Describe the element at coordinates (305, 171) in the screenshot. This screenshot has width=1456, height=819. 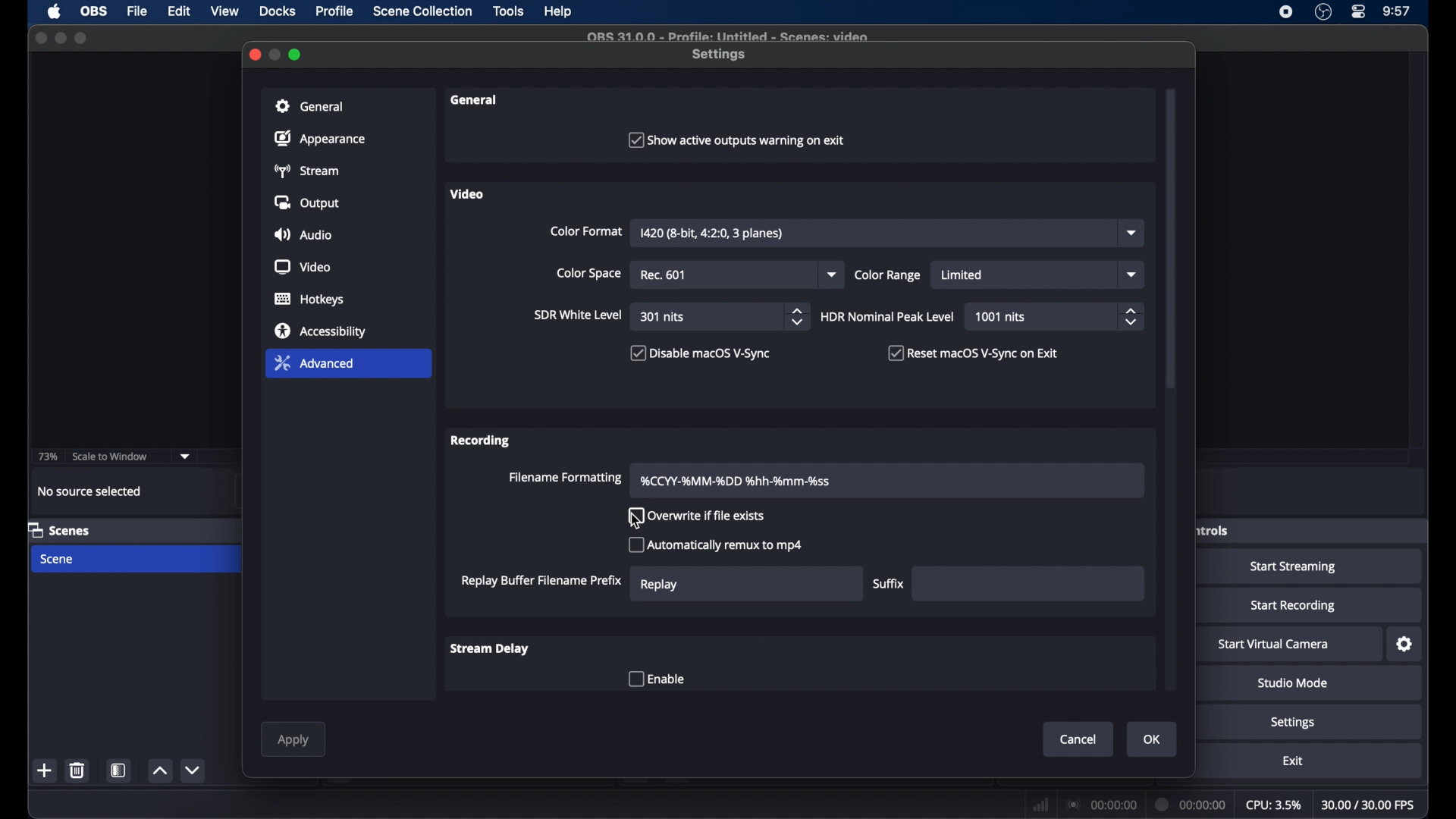
I see `stream` at that location.